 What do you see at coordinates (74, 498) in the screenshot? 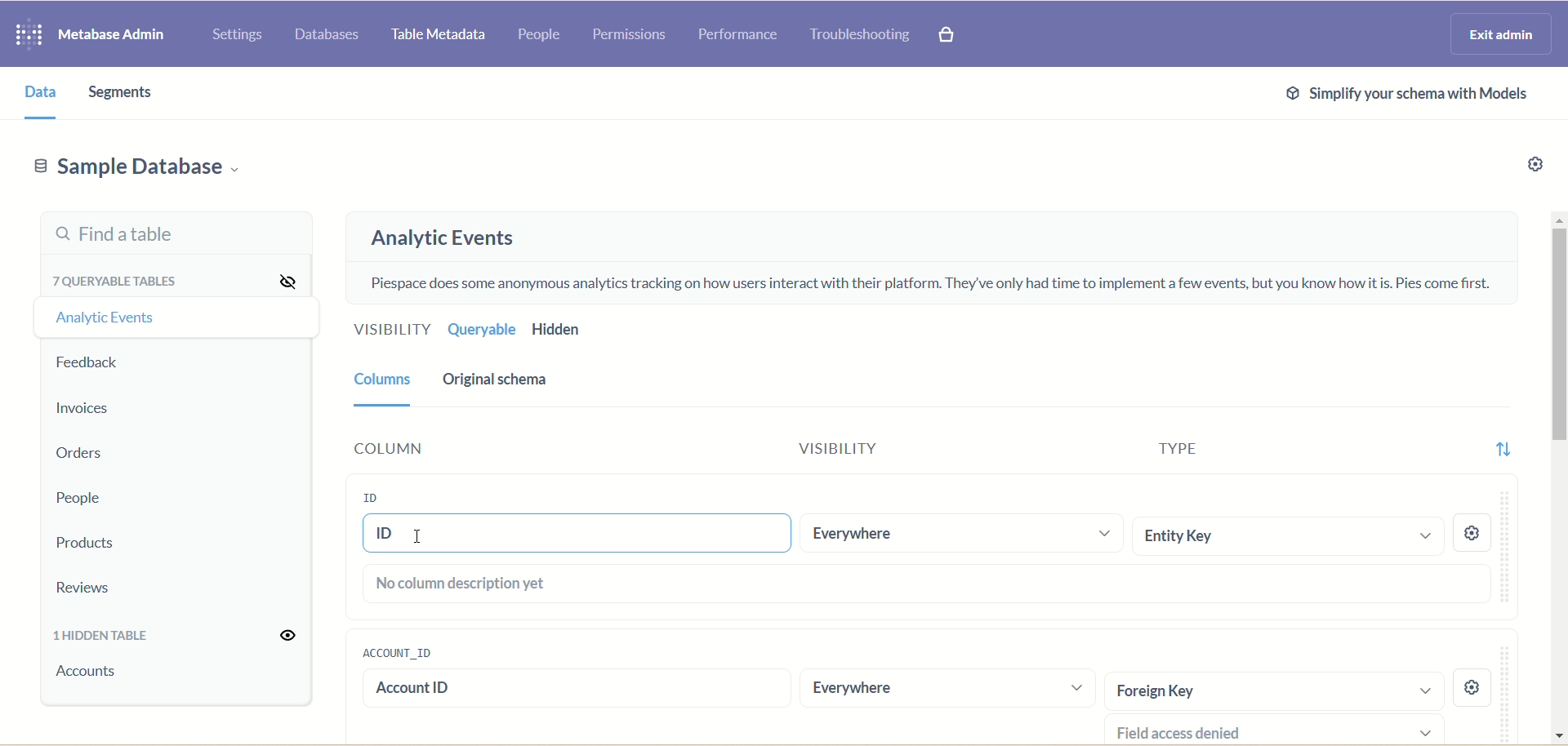
I see `People` at bounding box center [74, 498].